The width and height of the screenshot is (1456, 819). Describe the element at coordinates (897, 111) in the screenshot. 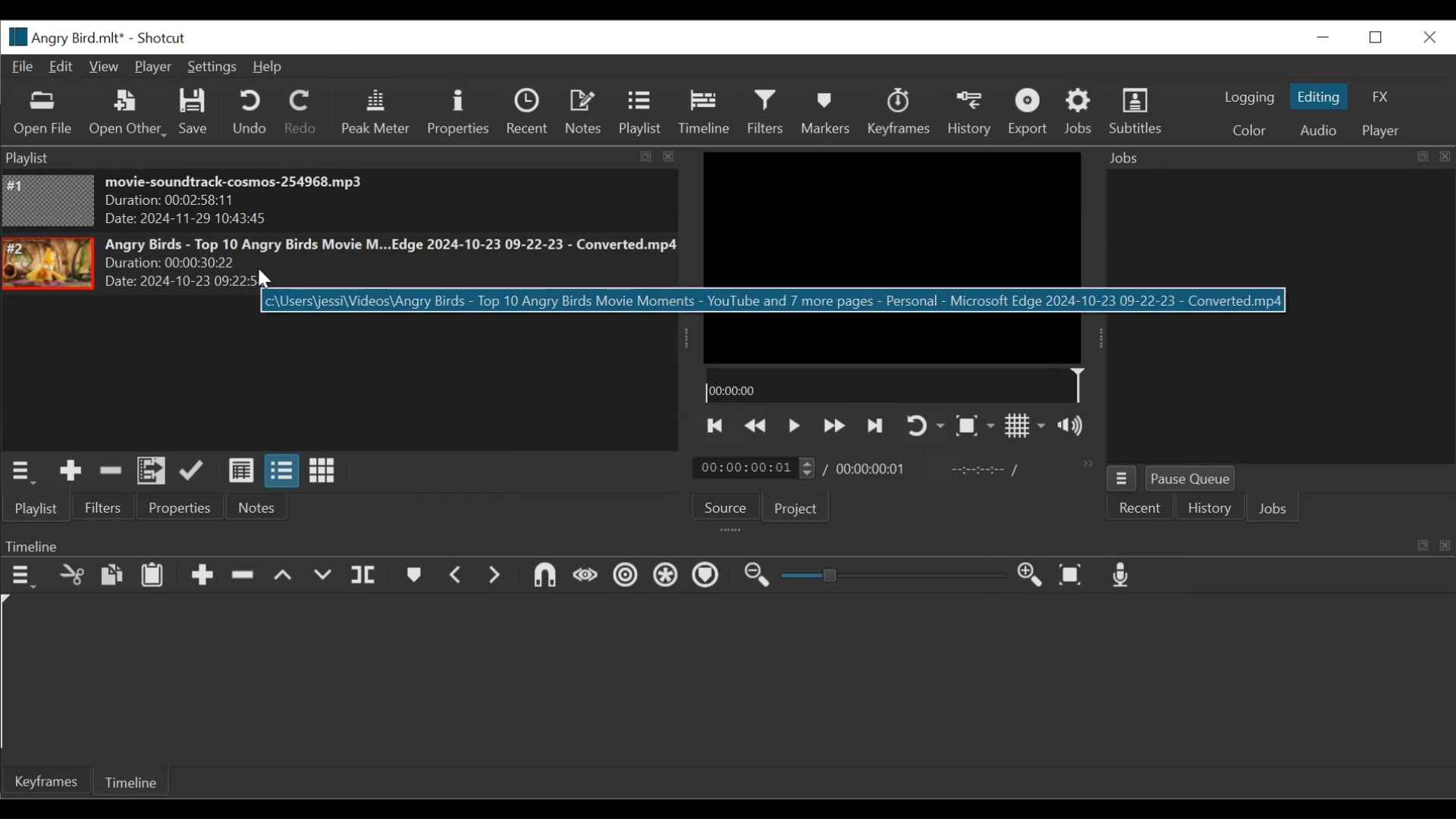

I see `Keyframes` at that location.